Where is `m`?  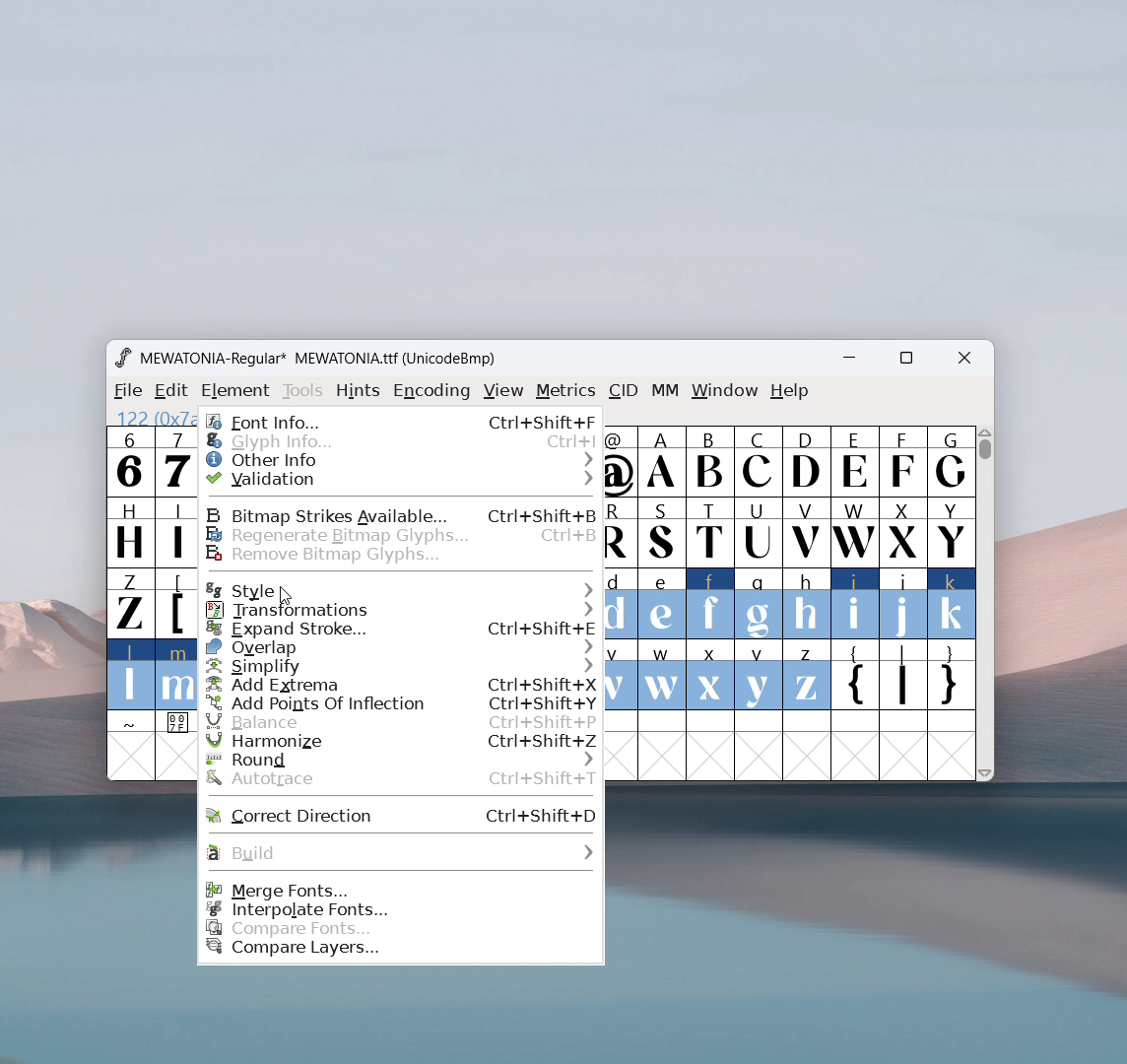 m is located at coordinates (175, 674).